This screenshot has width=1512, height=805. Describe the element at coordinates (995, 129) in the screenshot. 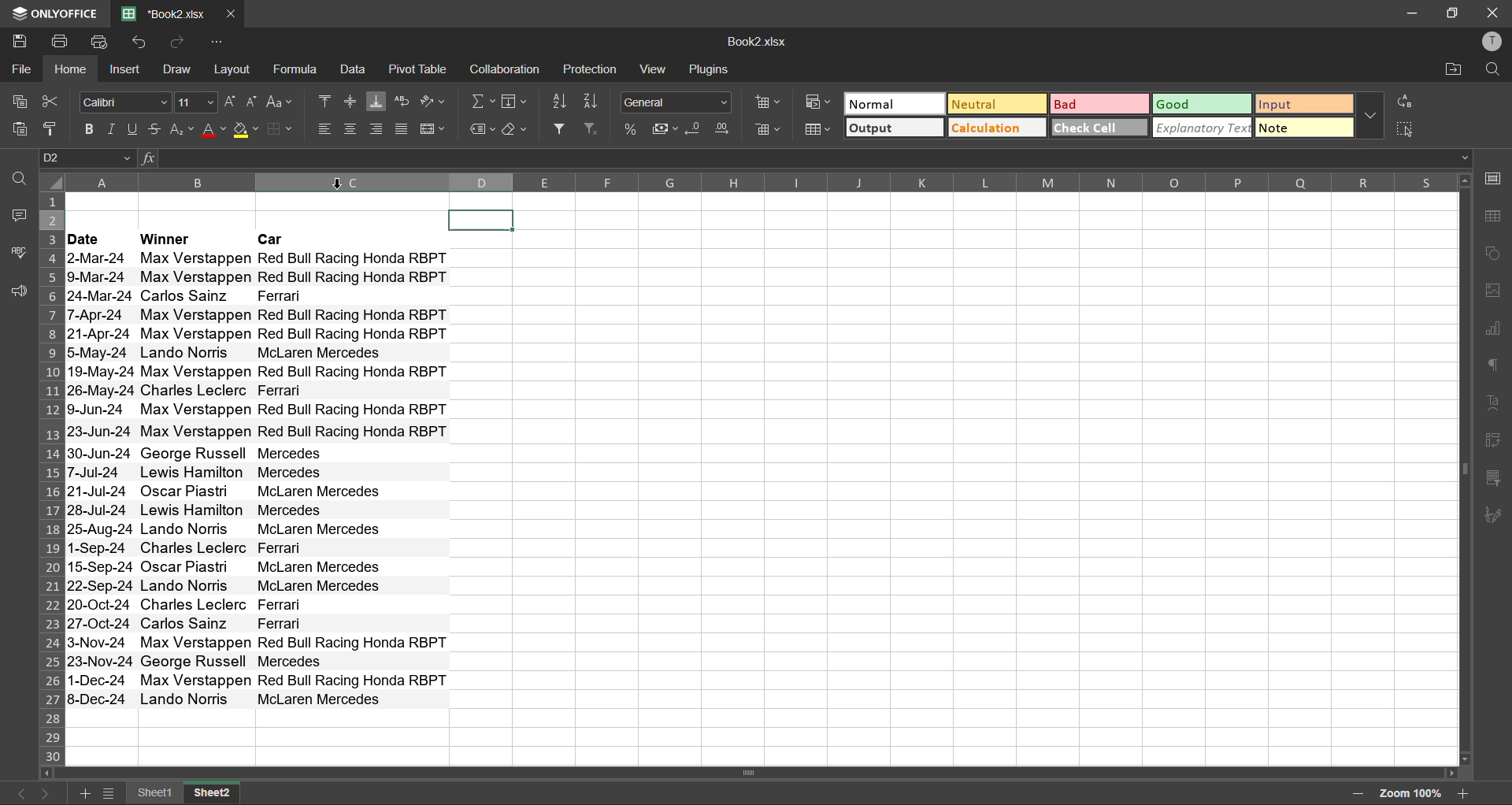

I see `calculation` at that location.